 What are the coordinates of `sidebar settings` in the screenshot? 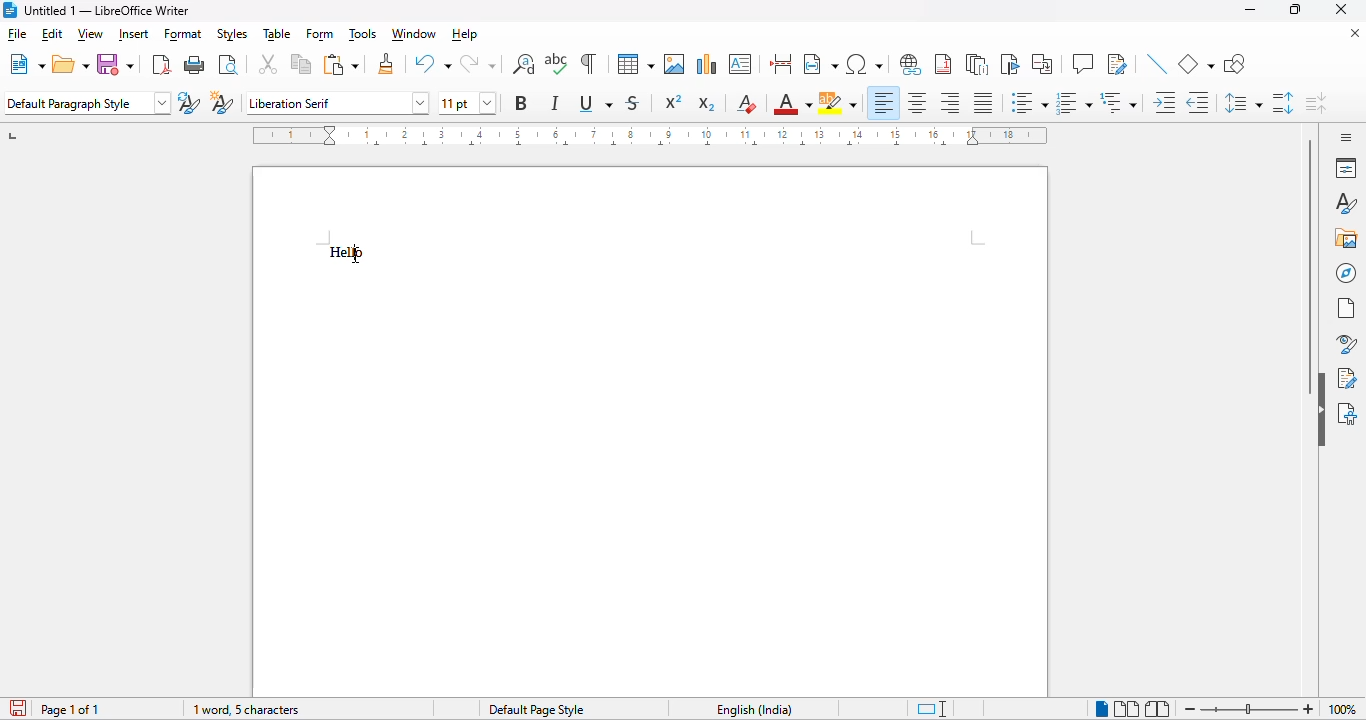 It's located at (1346, 137).